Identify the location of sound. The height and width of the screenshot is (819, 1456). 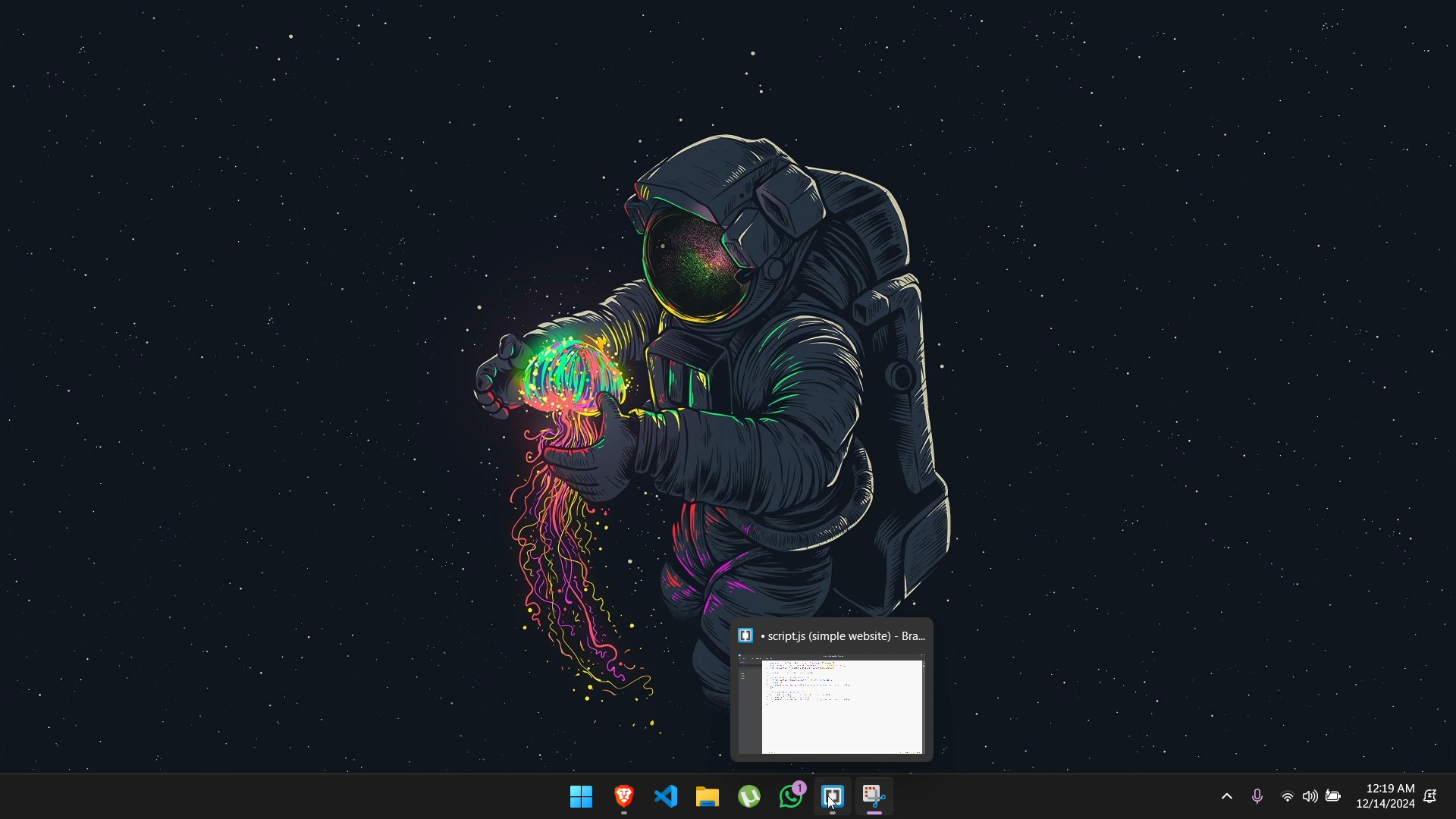
(1310, 795).